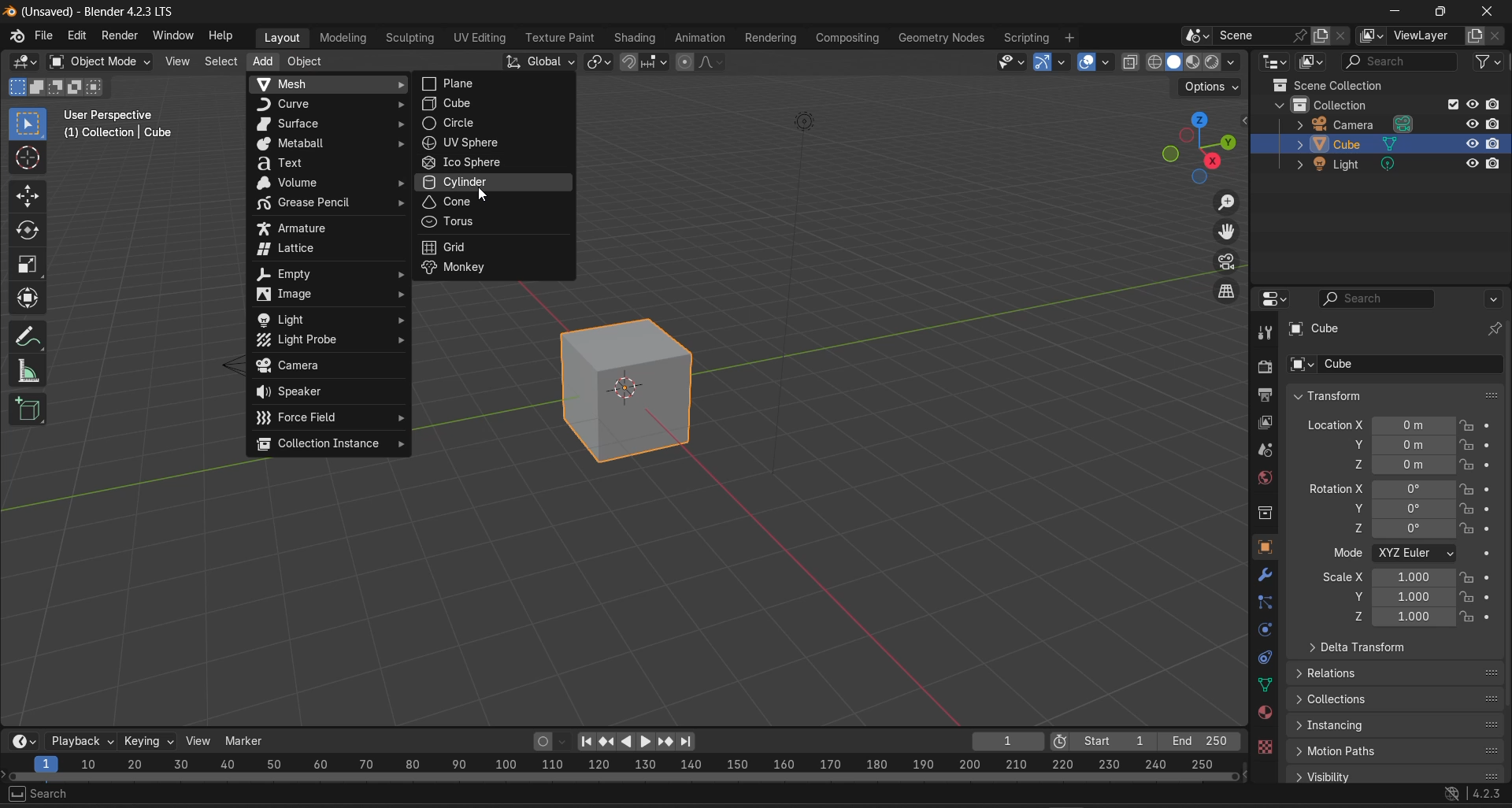 The width and height of the screenshot is (1512, 808). What do you see at coordinates (657, 61) in the screenshot?
I see `snapping` at bounding box center [657, 61].